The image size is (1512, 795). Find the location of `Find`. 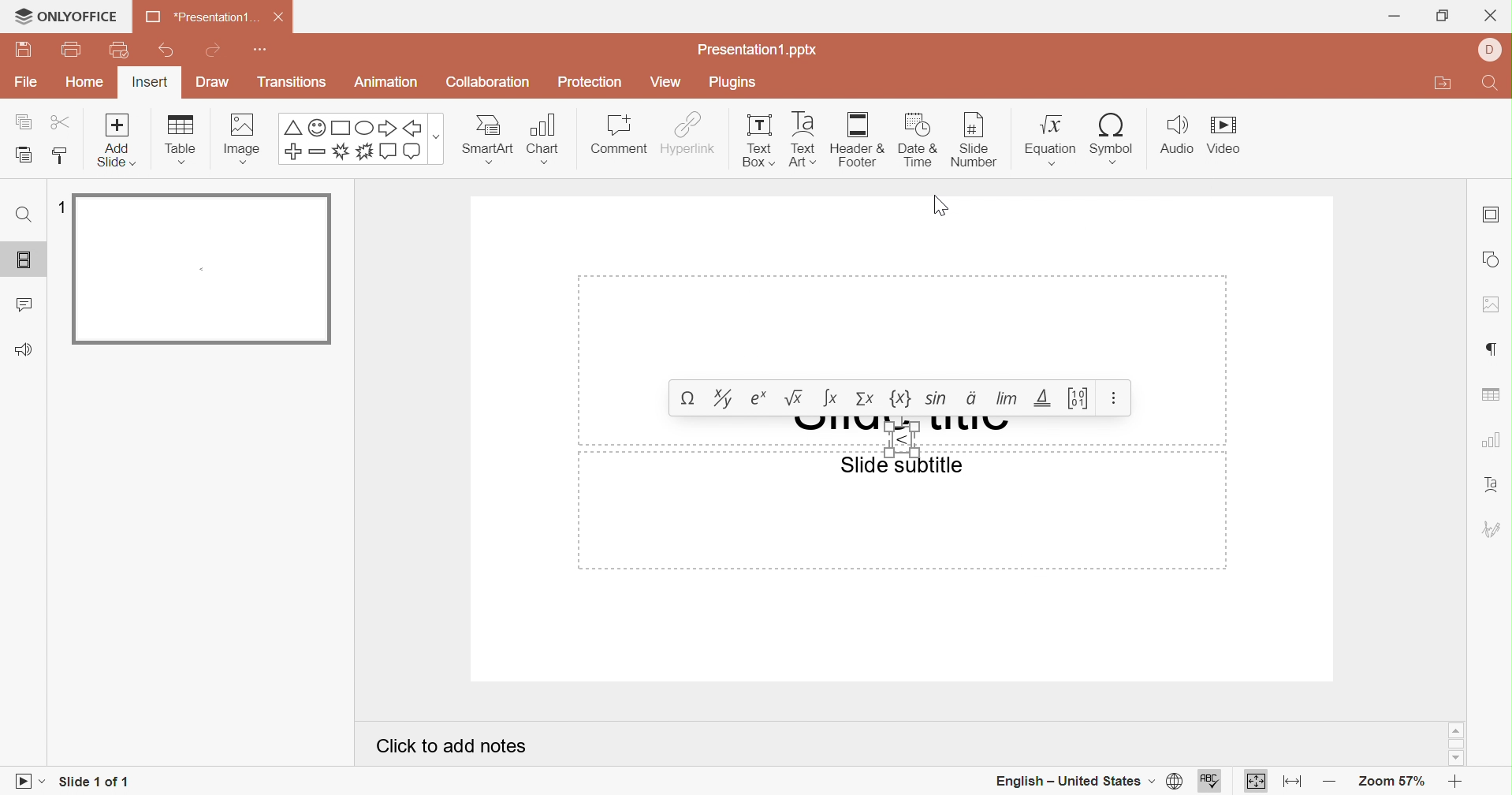

Find is located at coordinates (27, 216).